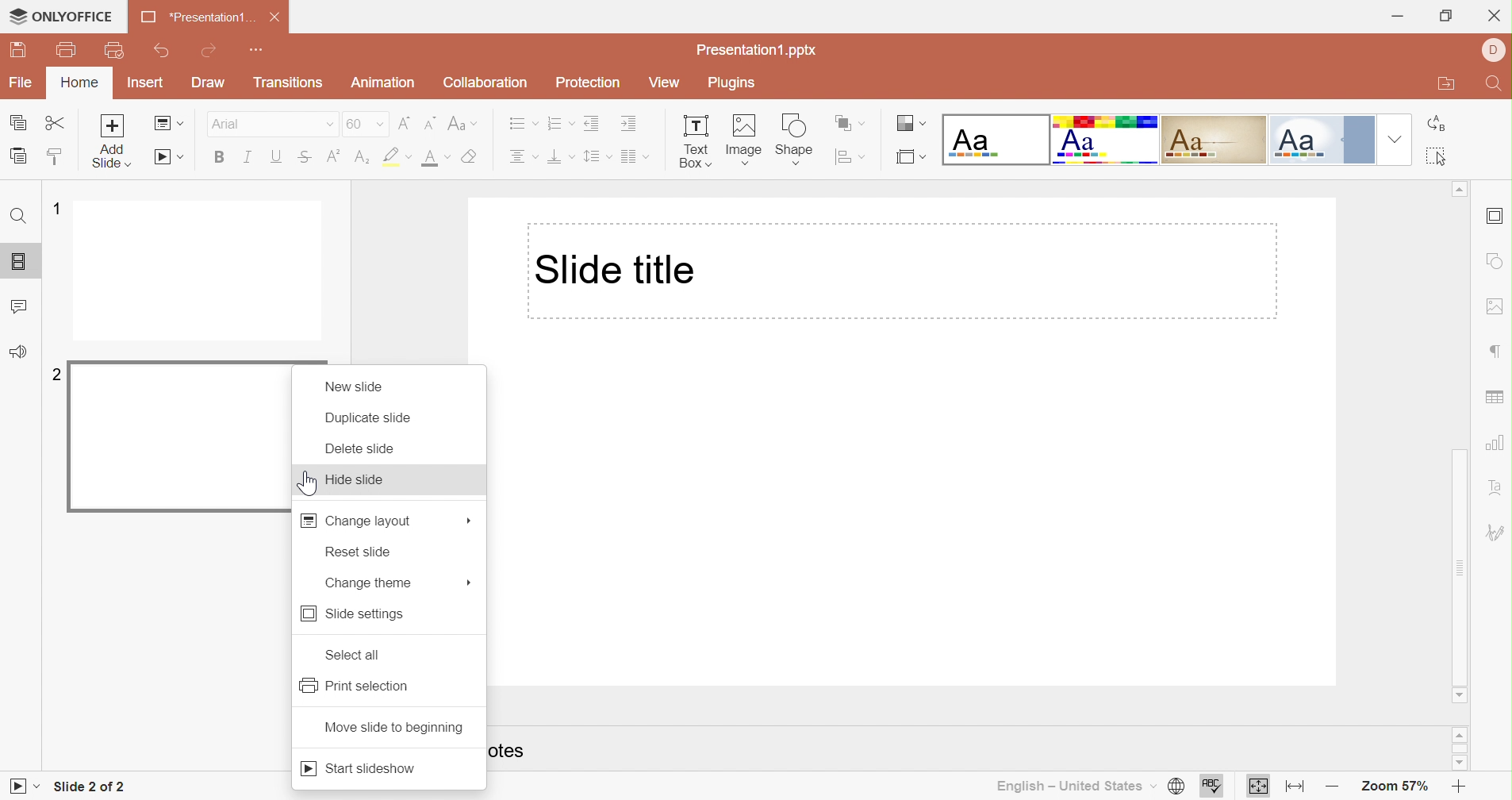 The height and width of the screenshot is (800, 1512). What do you see at coordinates (206, 54) in the screenshot?
I see `Redo` at bounding box center [206, 54].